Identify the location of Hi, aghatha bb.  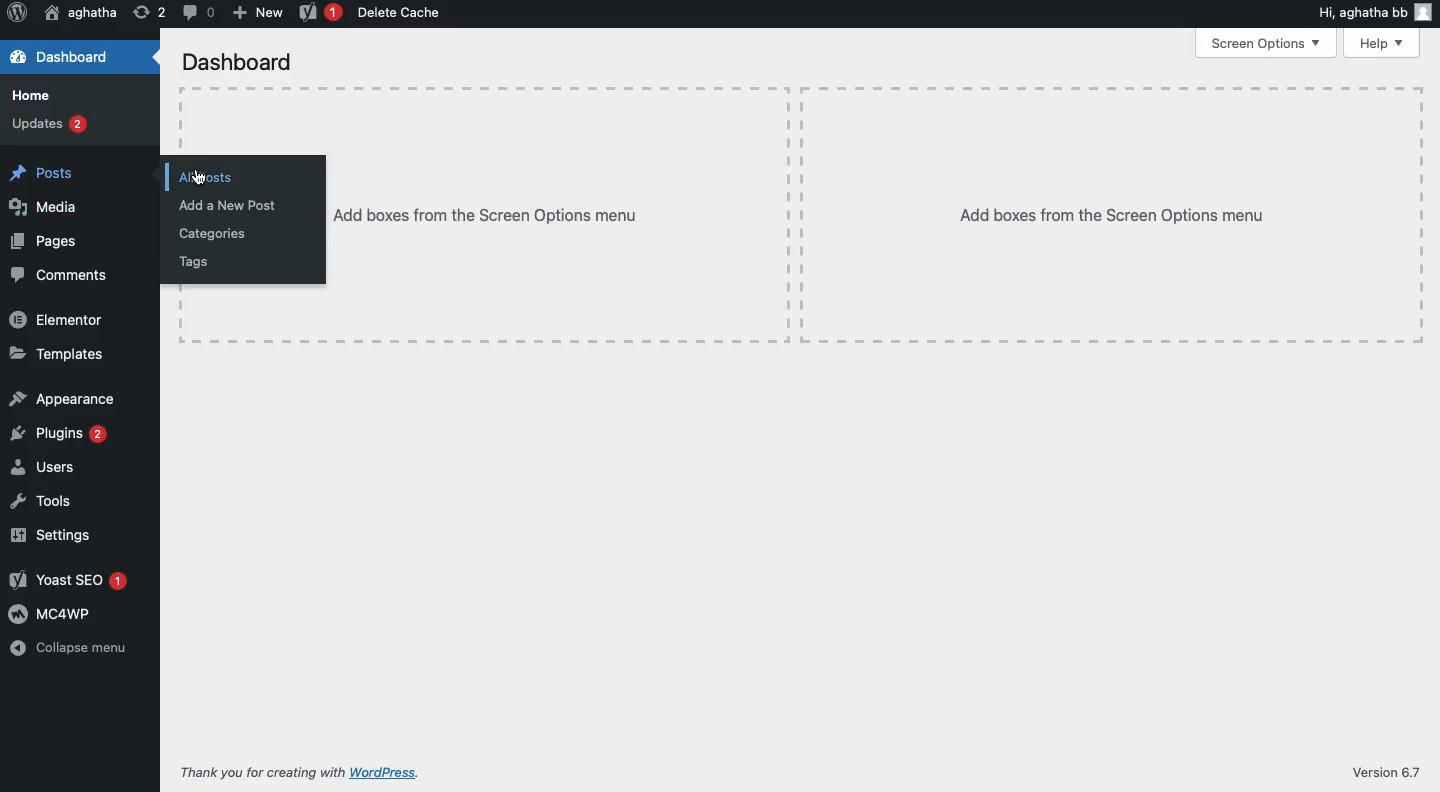
(1359, 12).